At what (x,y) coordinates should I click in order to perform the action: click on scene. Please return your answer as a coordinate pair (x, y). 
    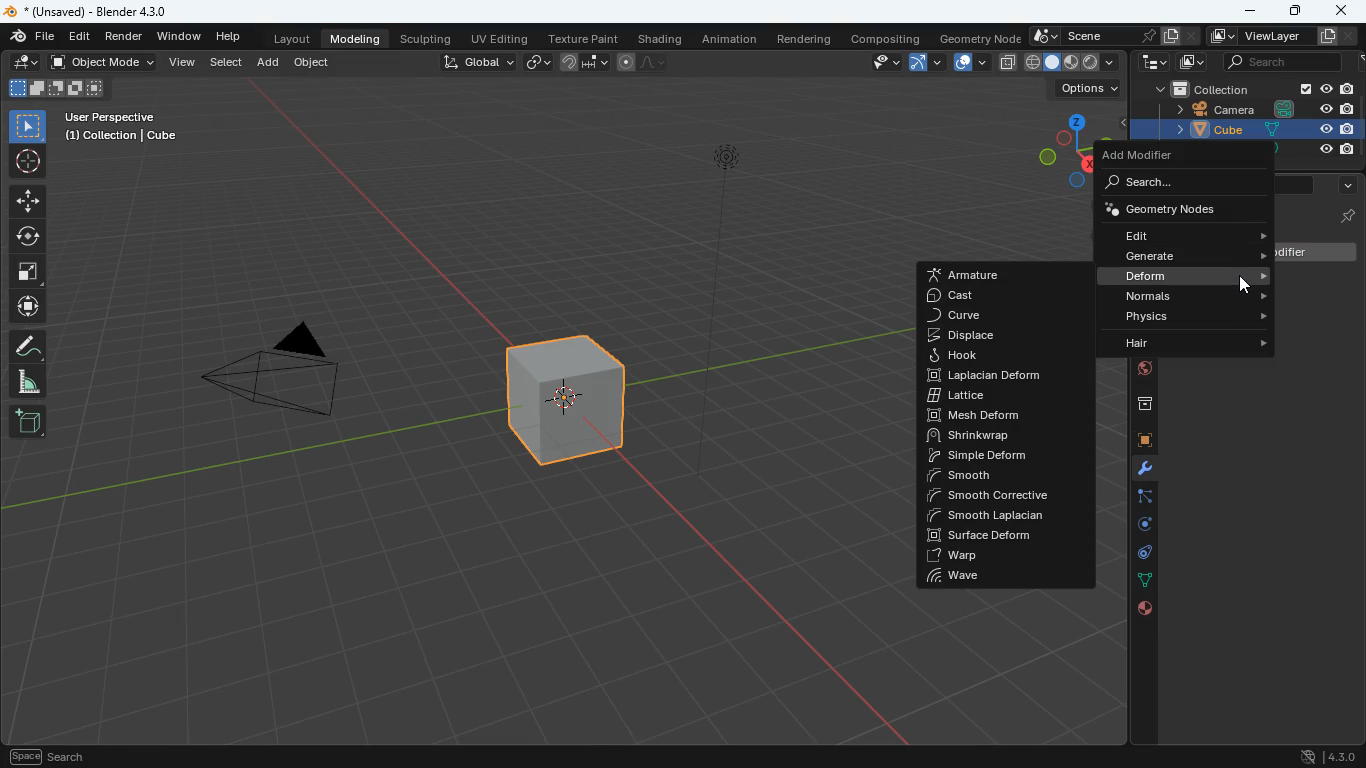
    Looking at the image, I should click on (1115, 36).